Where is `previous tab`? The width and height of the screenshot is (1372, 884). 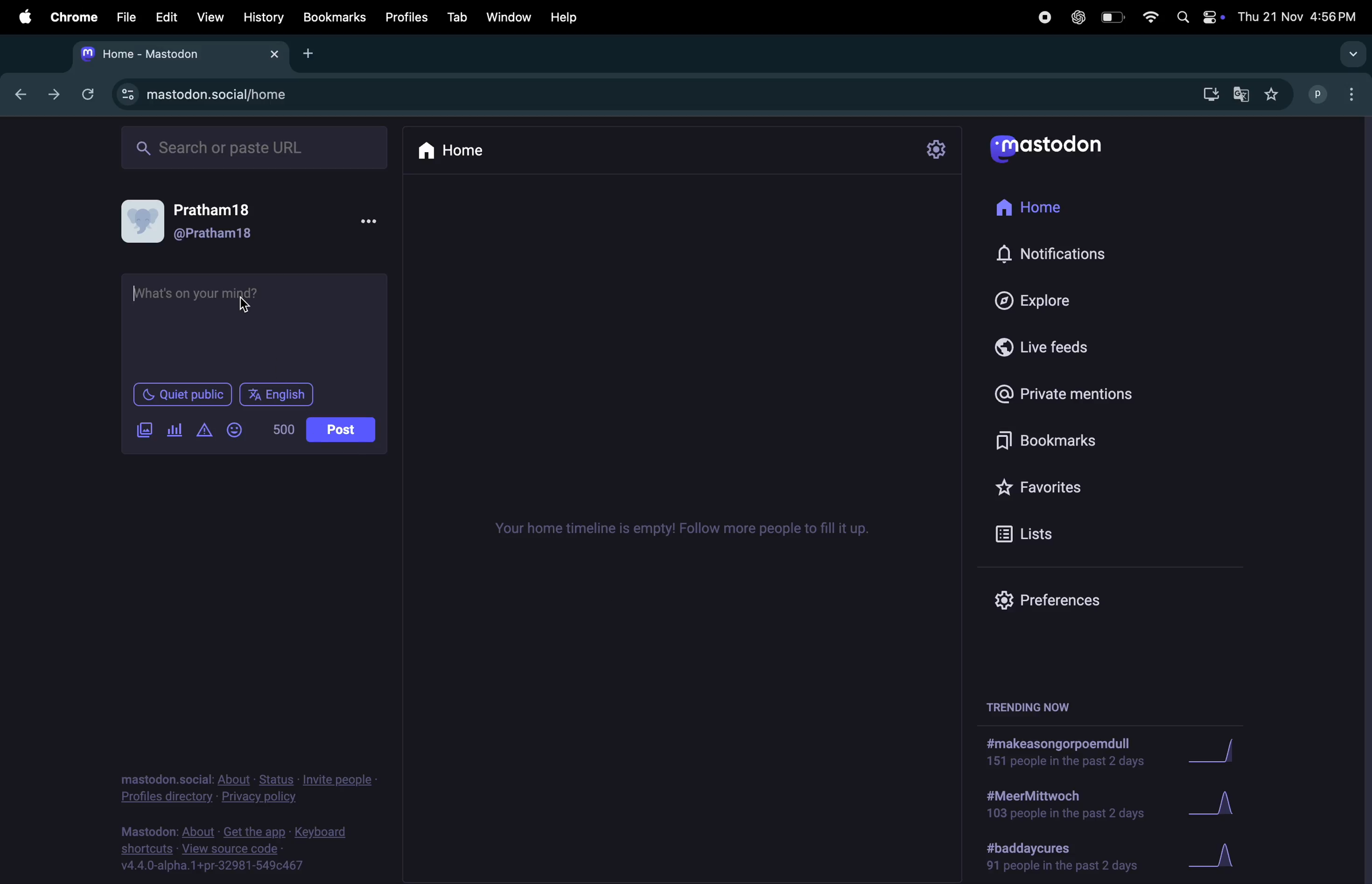 previous tab is located at coordinates (24, 94).